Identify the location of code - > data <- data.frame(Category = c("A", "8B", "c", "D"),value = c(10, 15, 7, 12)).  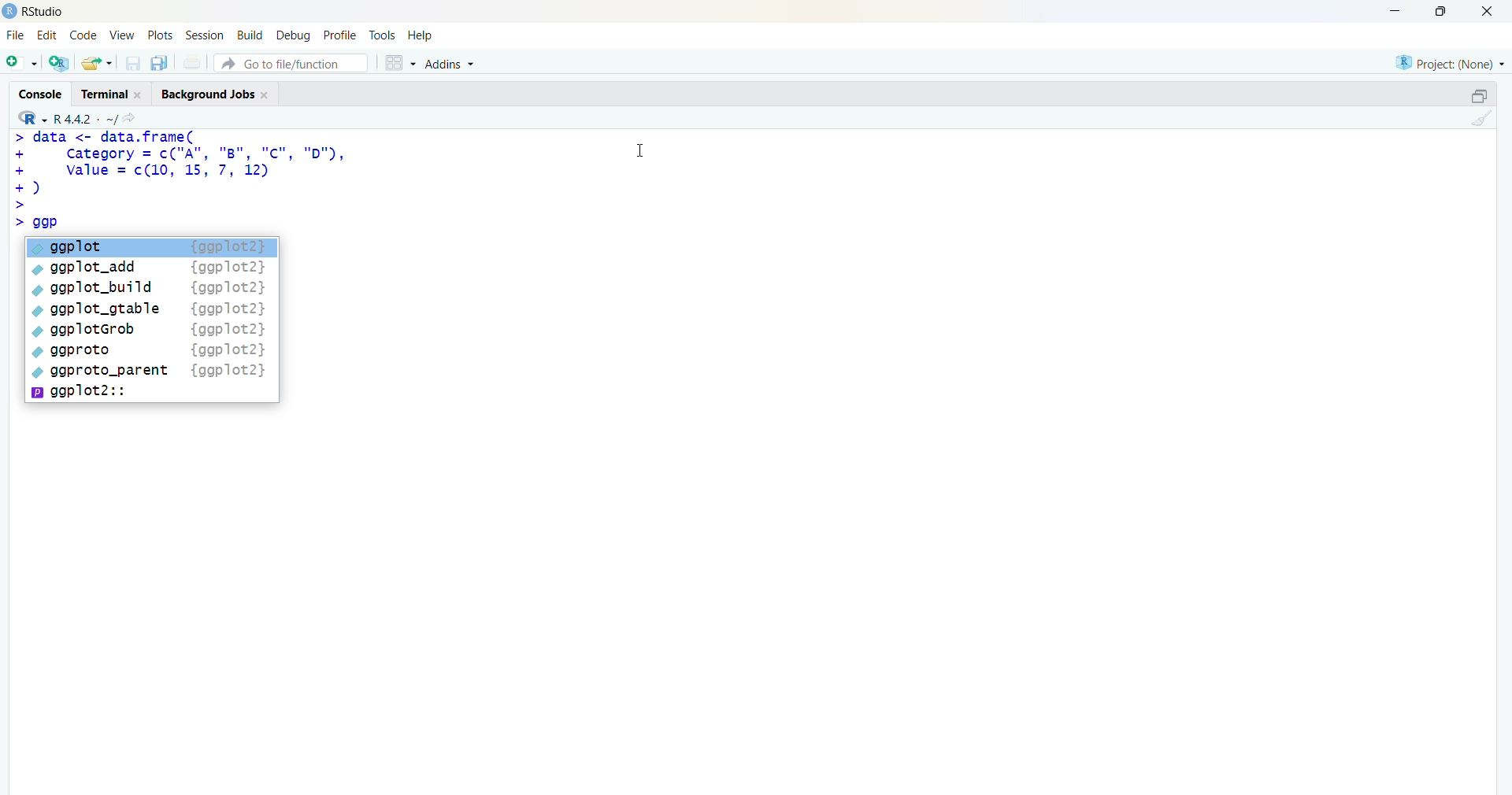
(195, 181).